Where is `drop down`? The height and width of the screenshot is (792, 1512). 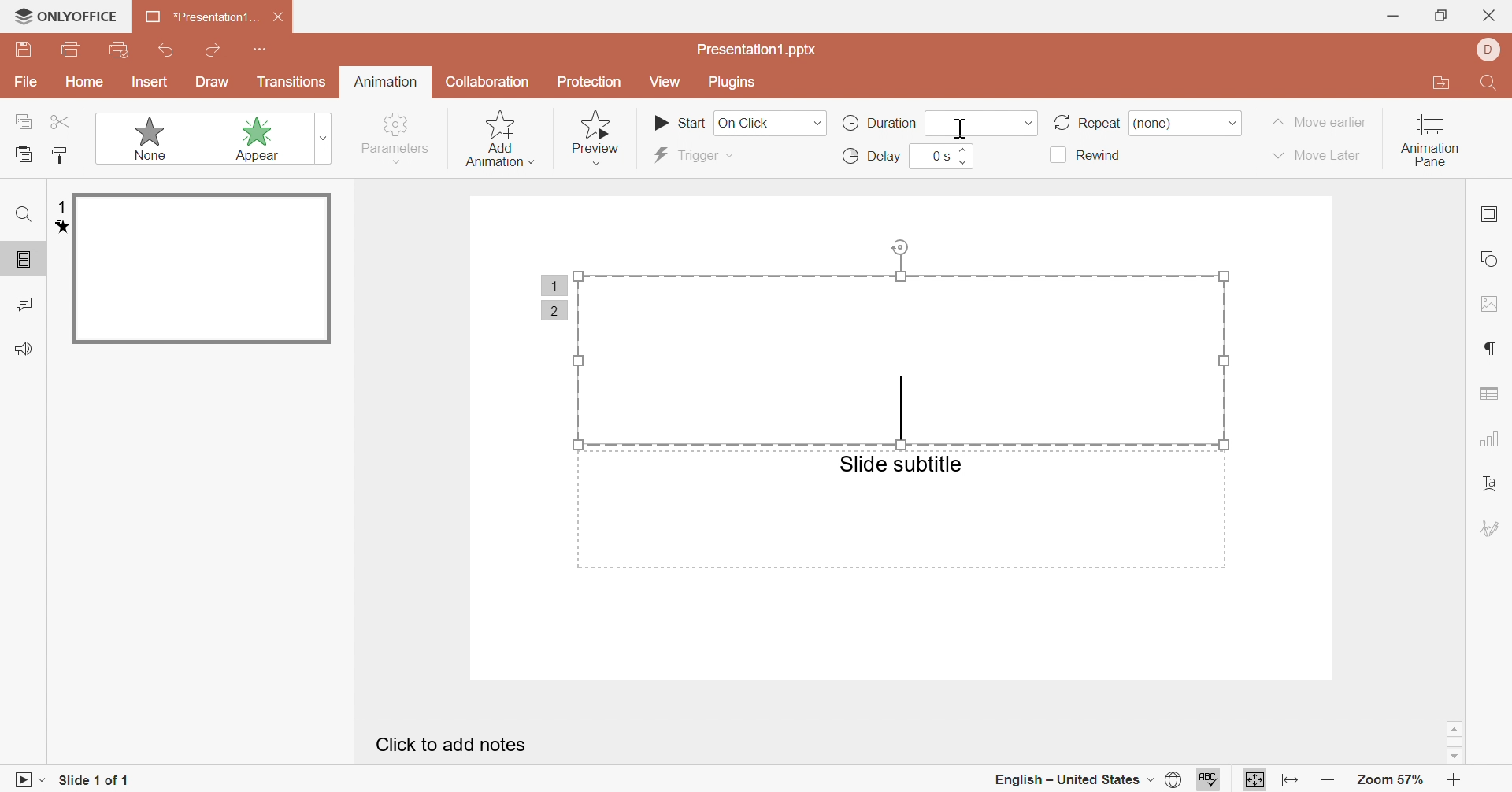
drop down is located at coordinates (1233, 124).